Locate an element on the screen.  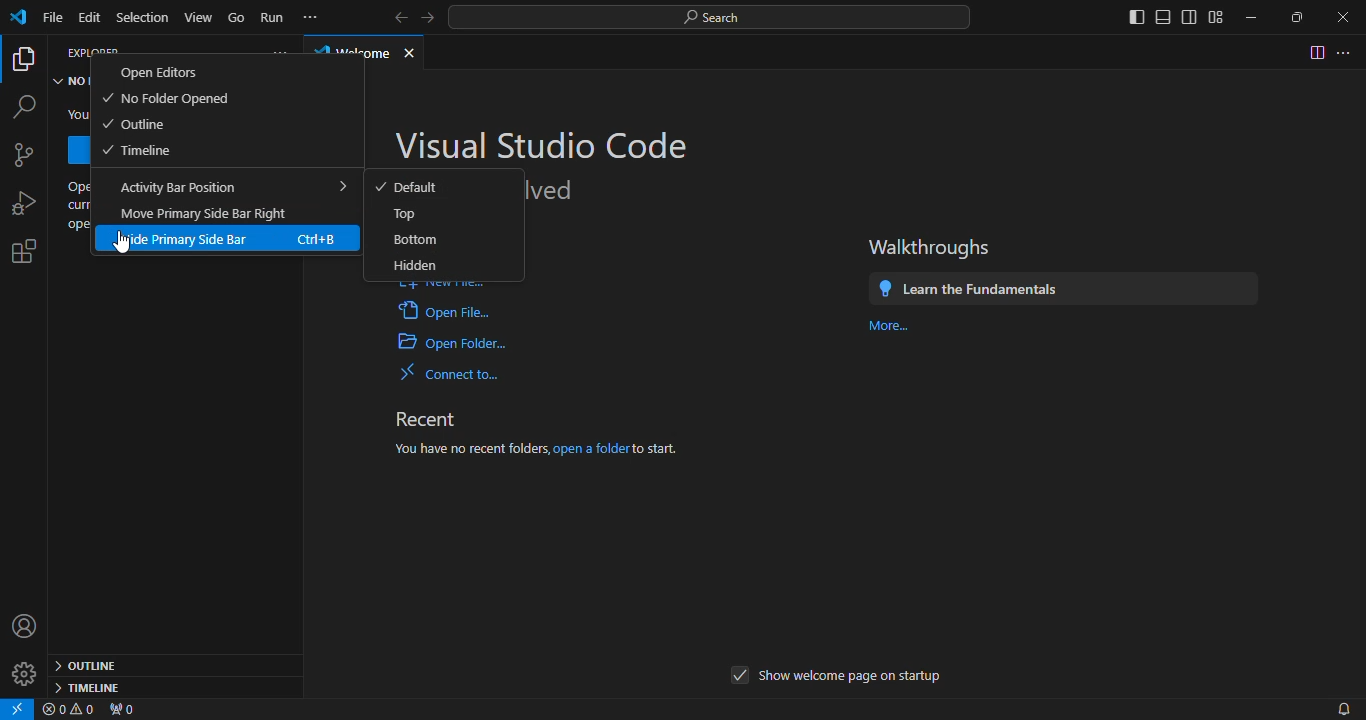
more options is located at coordinates (279, 51).